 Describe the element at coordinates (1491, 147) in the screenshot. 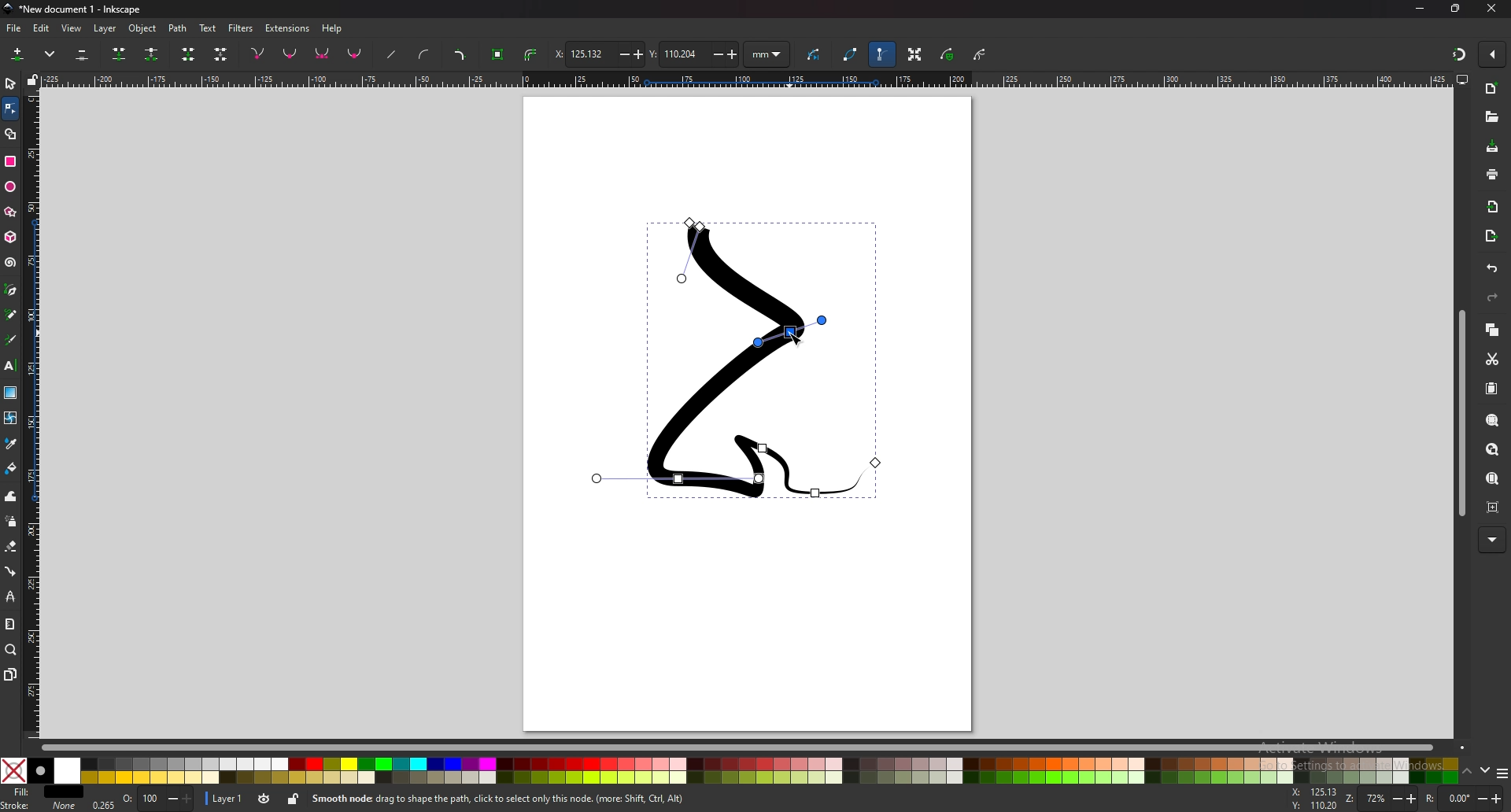

I see `save` at that location.